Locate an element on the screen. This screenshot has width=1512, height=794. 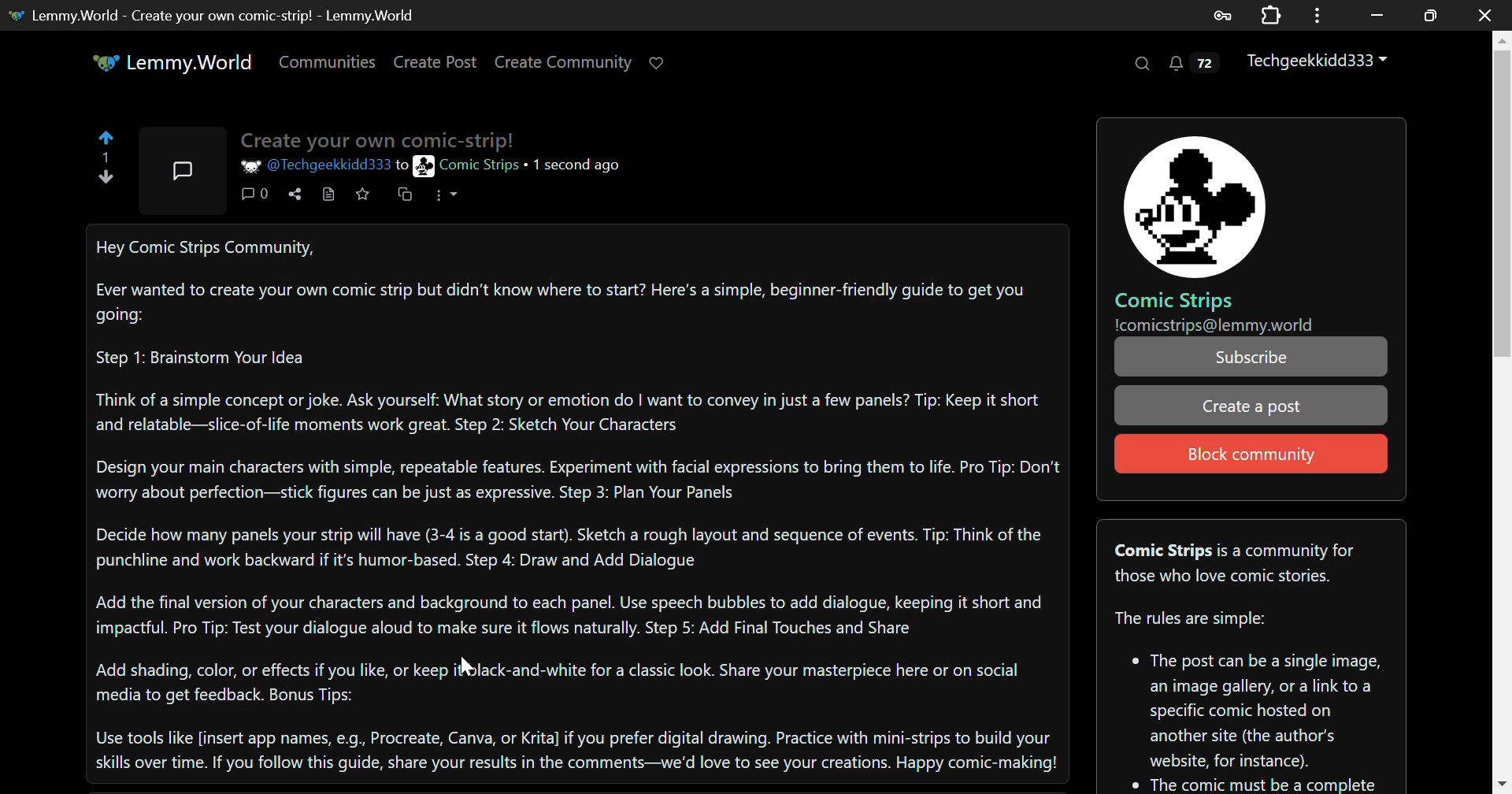
Options is located at coordinates (446, 199).